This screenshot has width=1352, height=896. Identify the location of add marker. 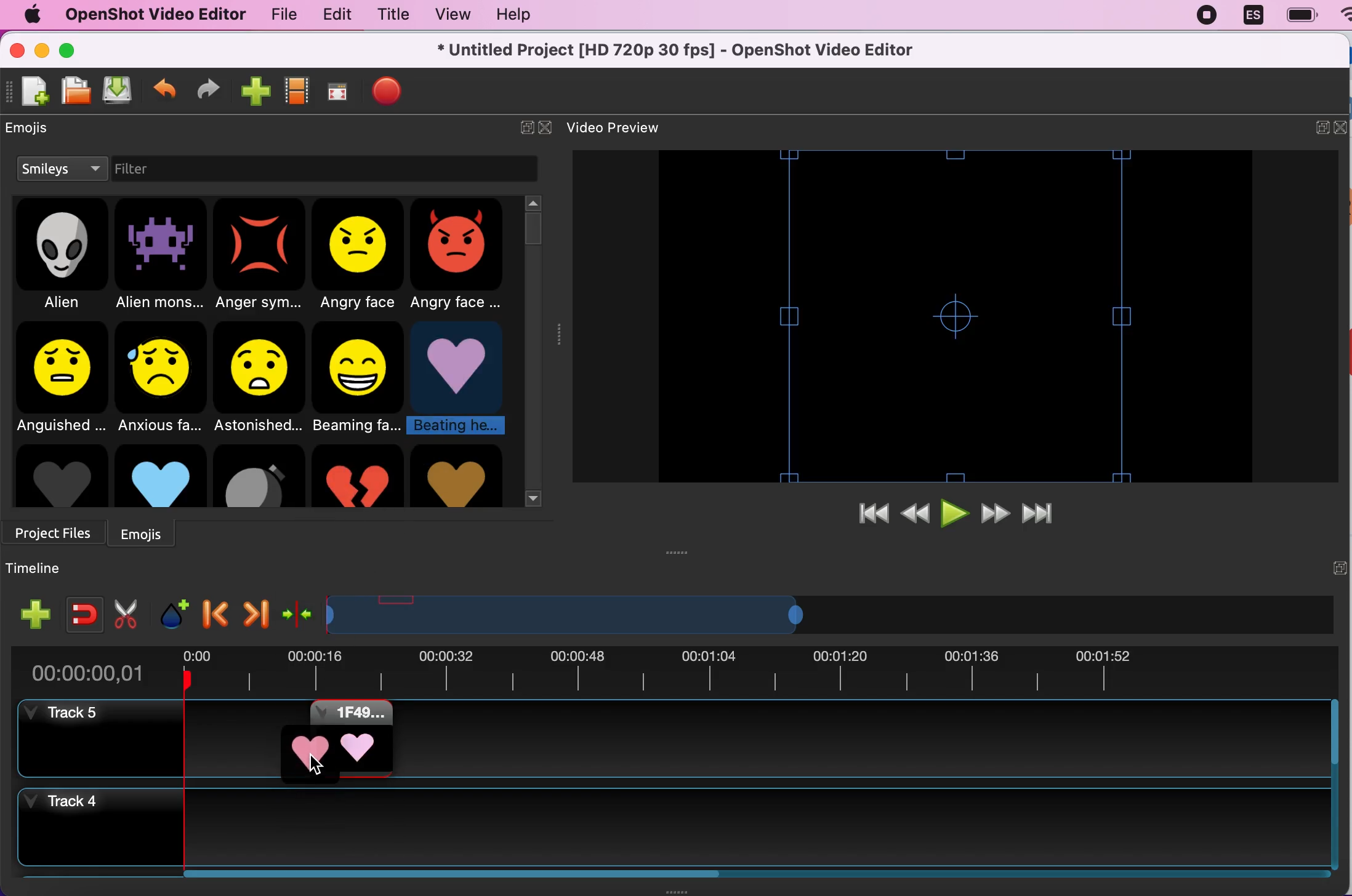
(172, 610).